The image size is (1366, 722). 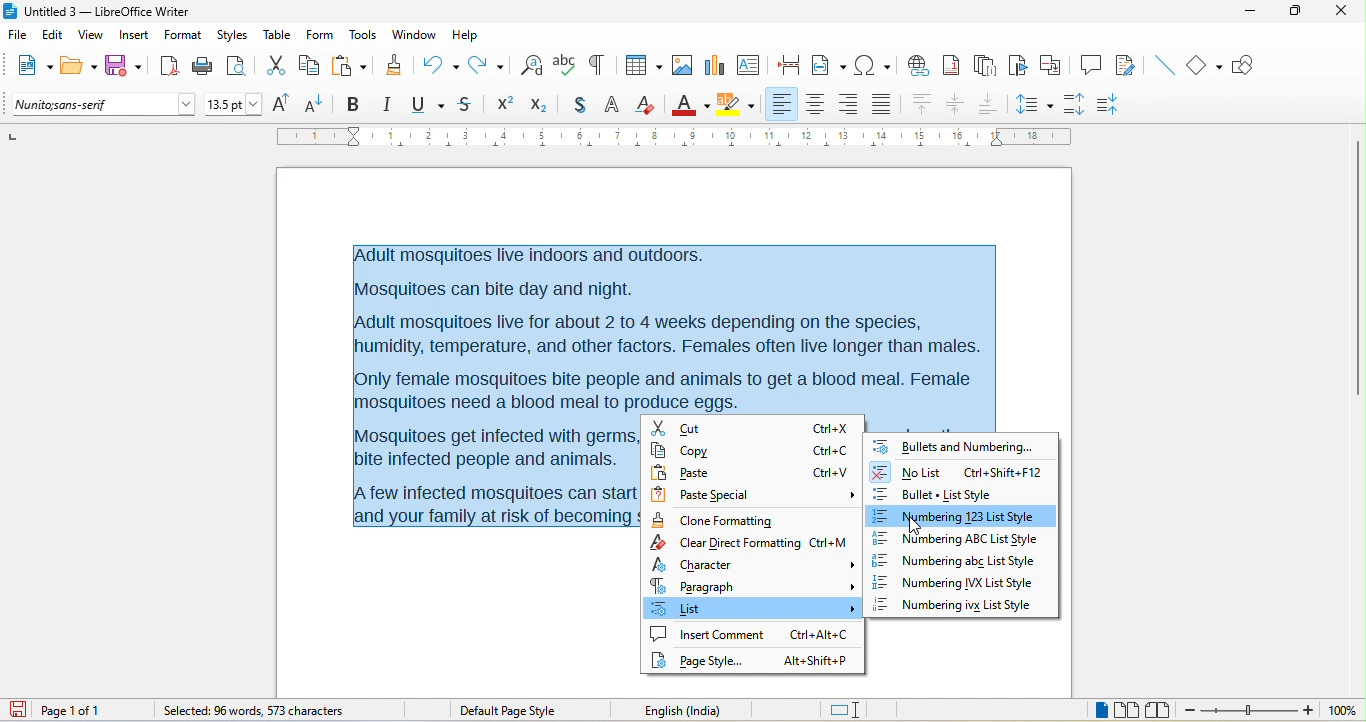 What do you see at coordinates (1256, 17) in the screenshot?
I see `minimize` at bounding box center [1256, 17].